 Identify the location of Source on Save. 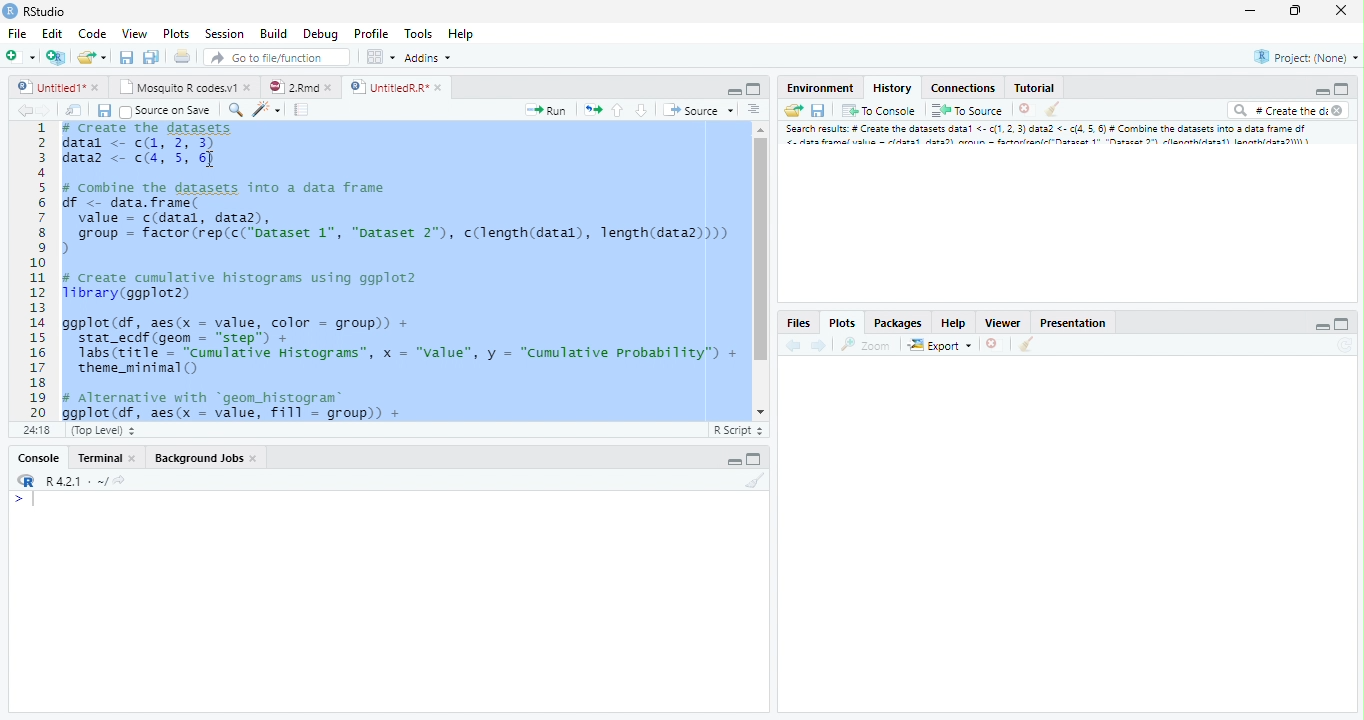
(165, 112).